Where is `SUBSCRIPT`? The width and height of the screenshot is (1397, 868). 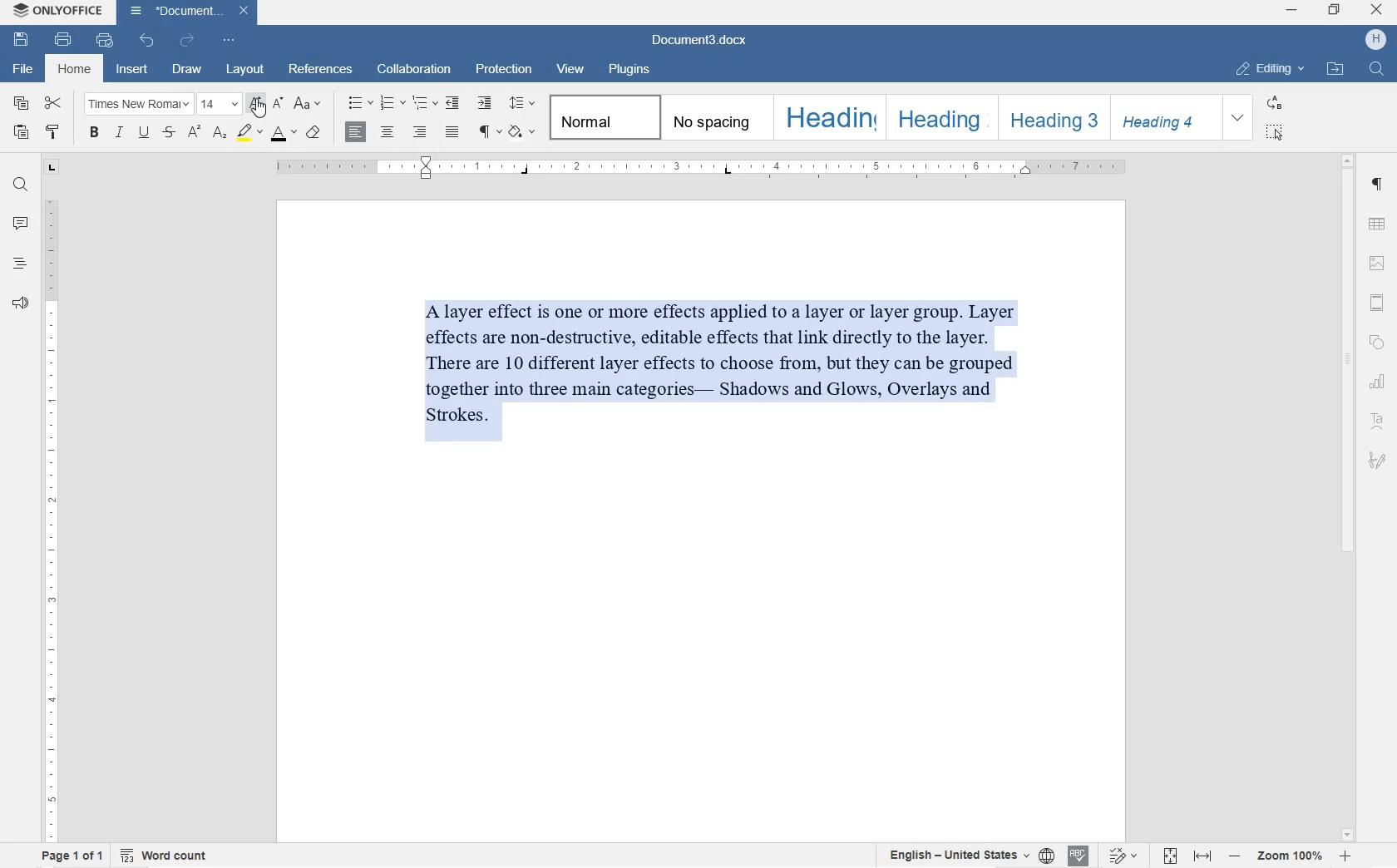 SUBSCRIPT is located at coordinates (220, 135).